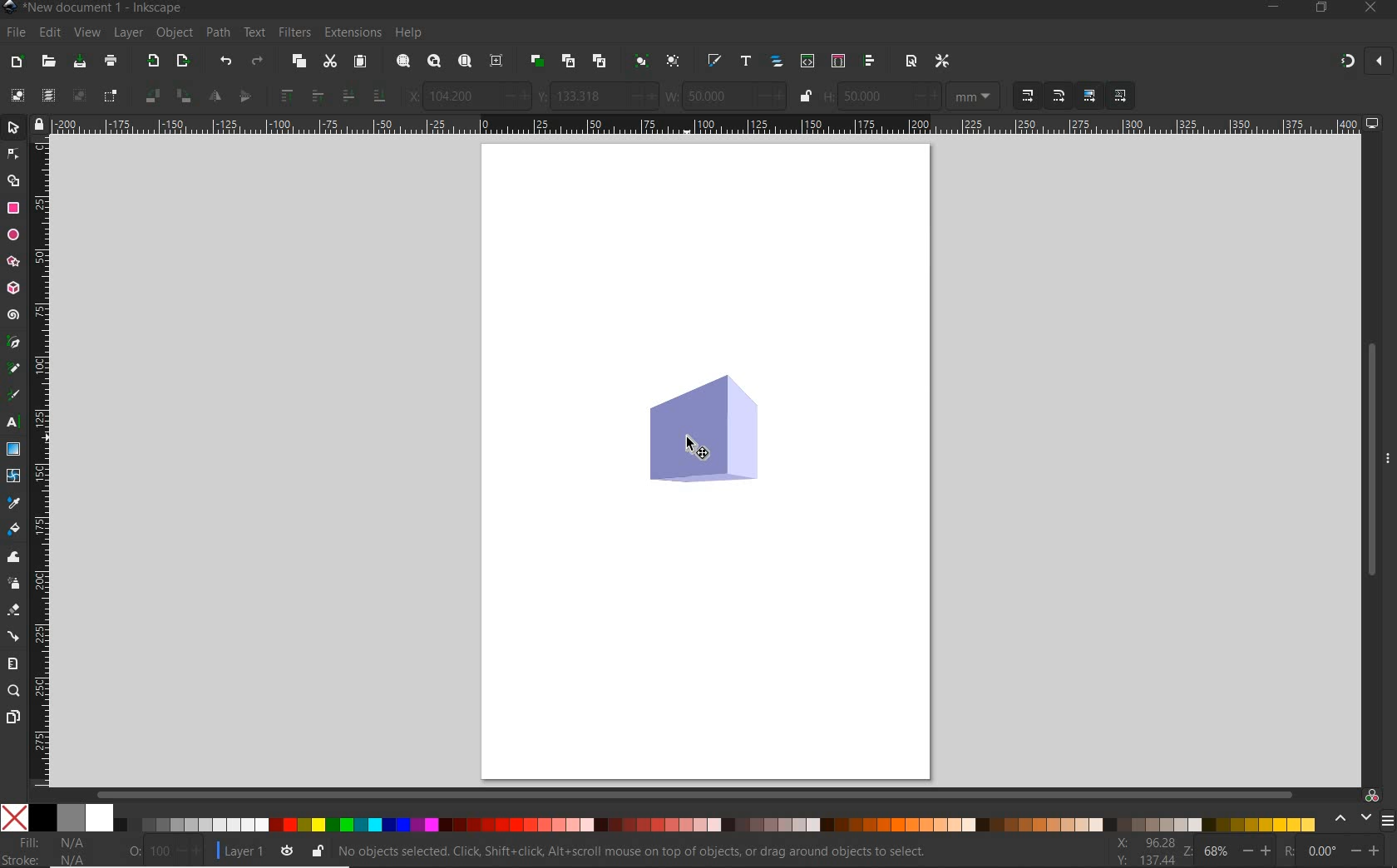 The height and width of the screenshot is (868, 1397). What do you see at coordinates (926, 96) in the screenshot?
I see `increase/decrease` at bounding box center [926, 96].